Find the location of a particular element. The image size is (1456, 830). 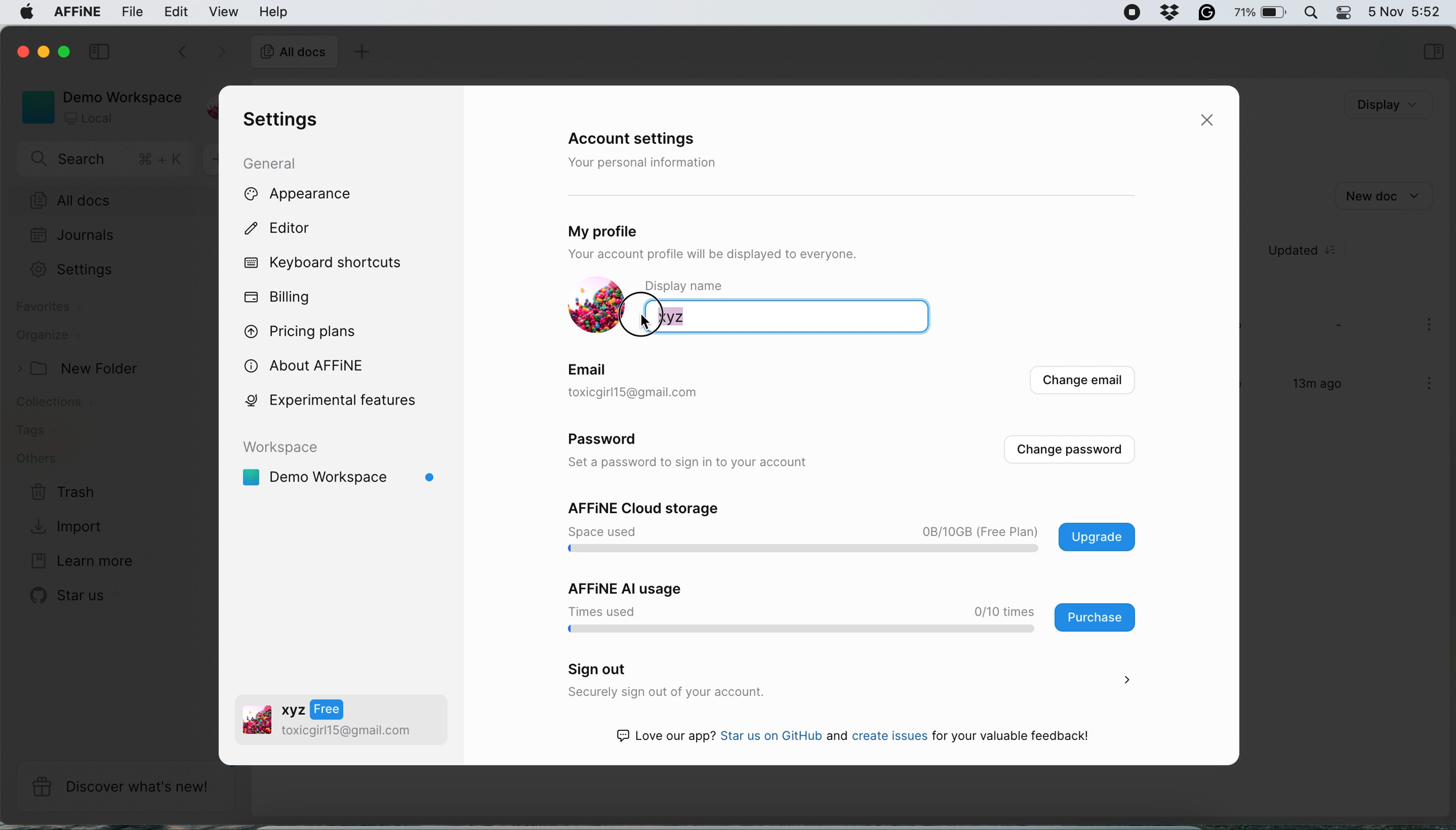

switch between documents is located at coordinates (199, 53).